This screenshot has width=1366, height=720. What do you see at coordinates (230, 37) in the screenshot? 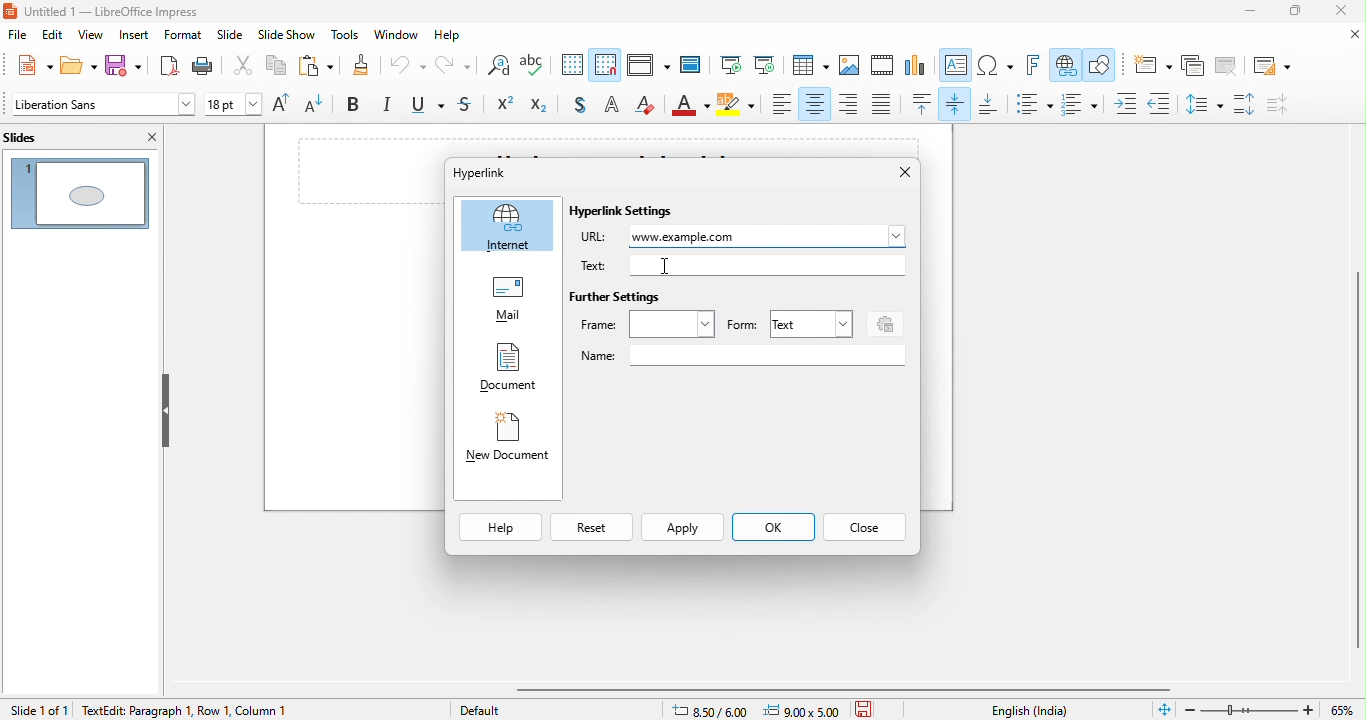
I see `slide` at bounding box center [230, 37].